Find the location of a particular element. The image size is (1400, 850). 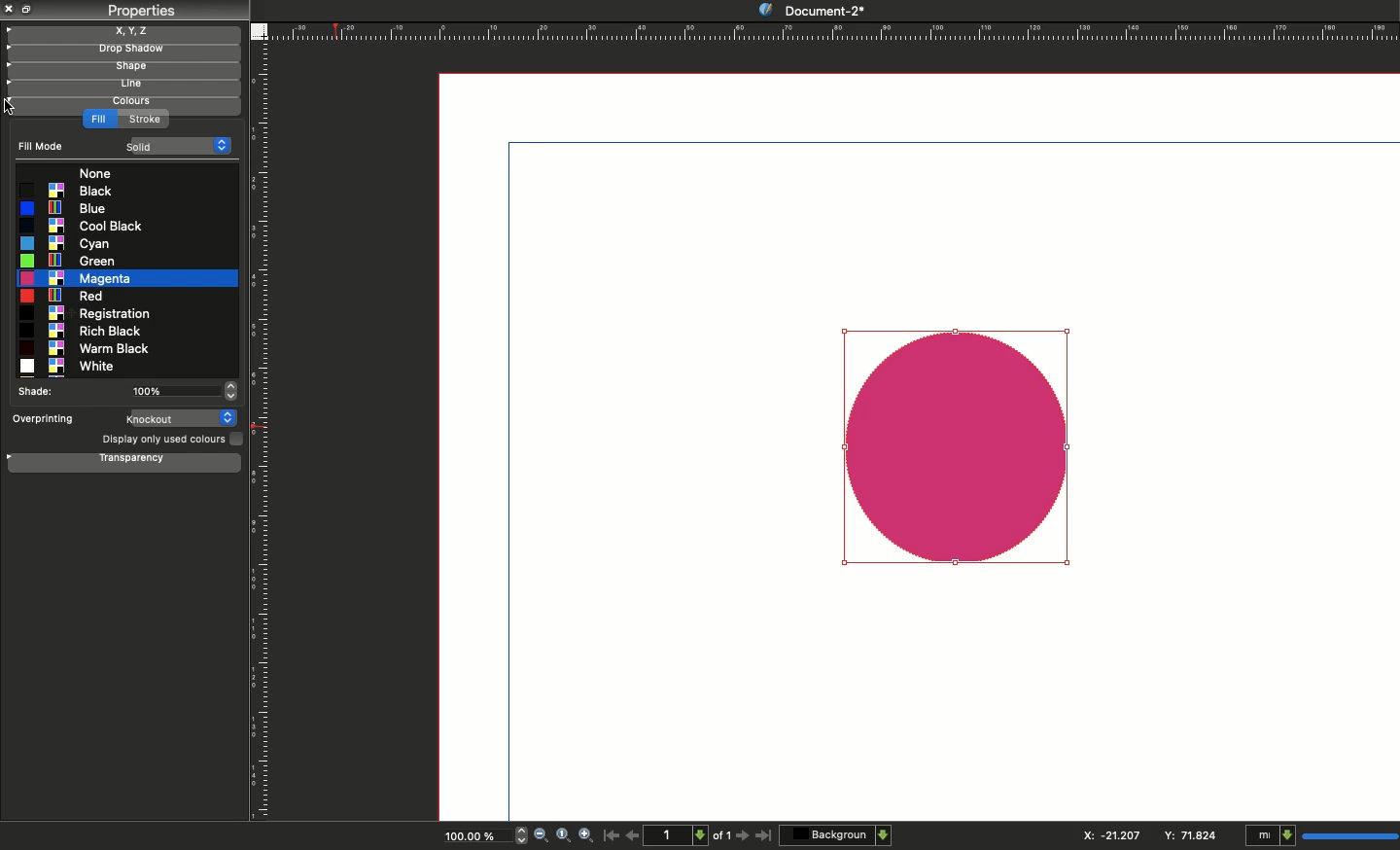

Previous page is located at coordinates (633, 834).